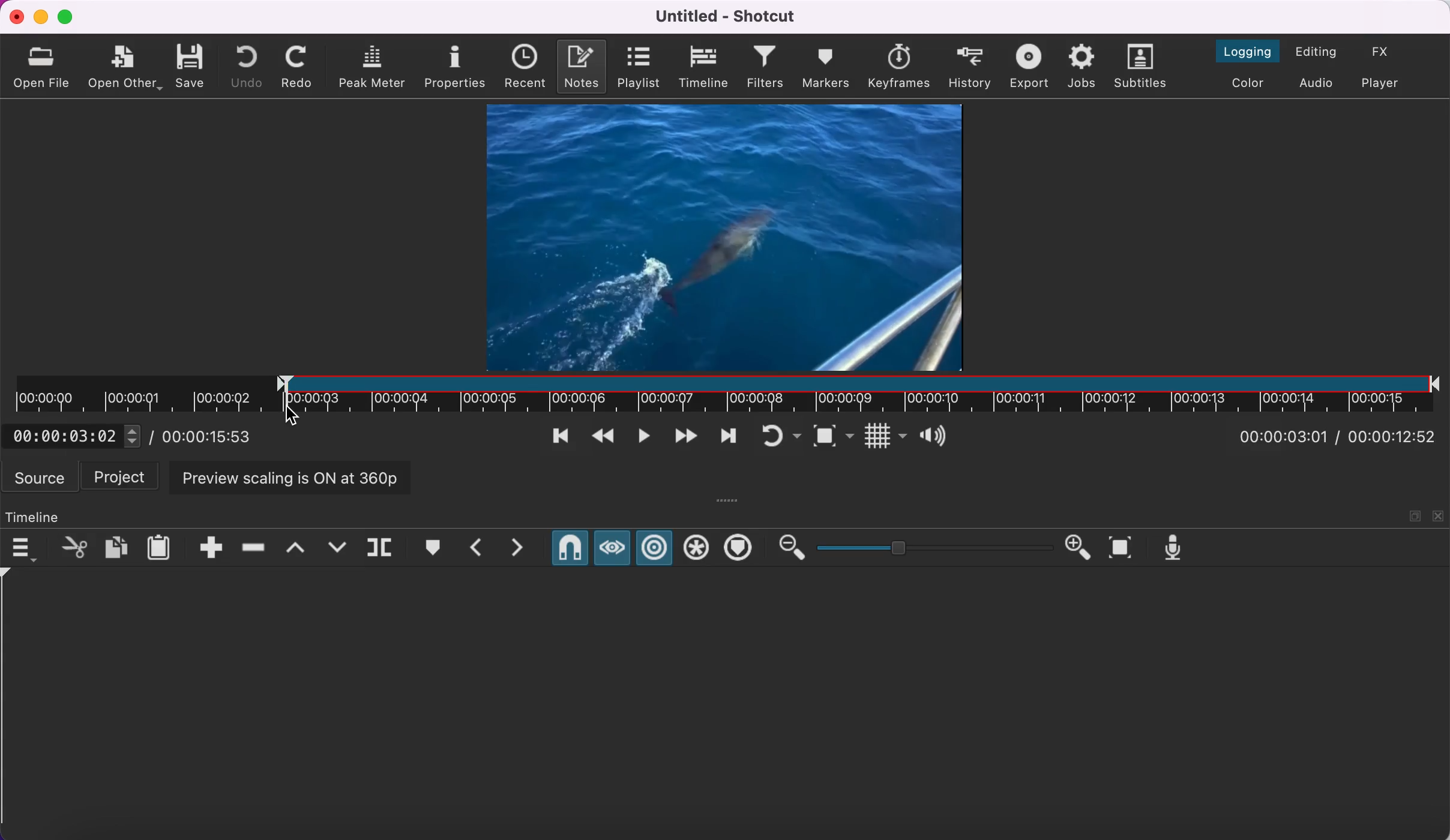 The image size is (1450, 840). I want to click on copy checked filters, so click(115, 547).